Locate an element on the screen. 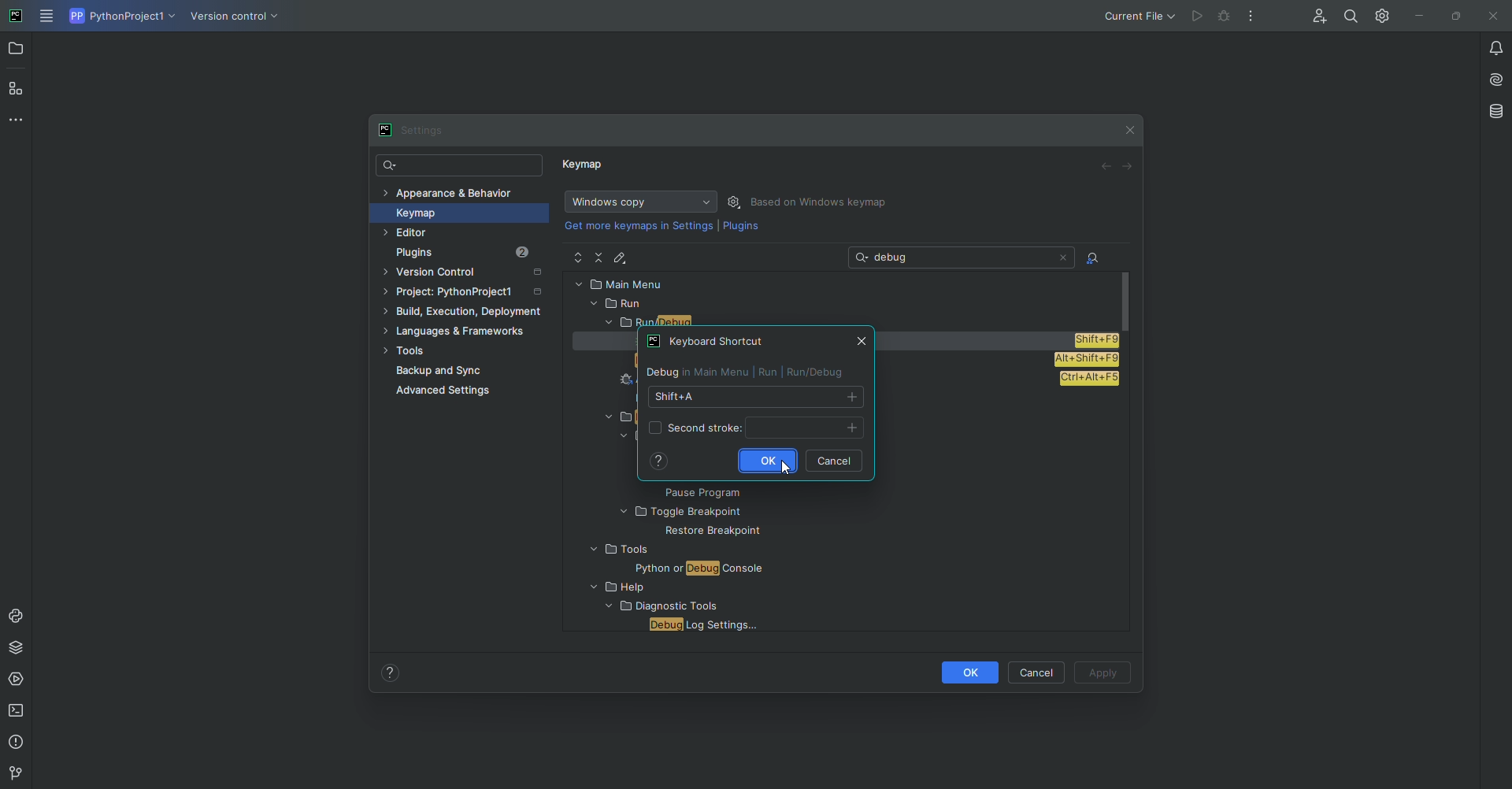 The width and height of the screenshot is (1512, 789). Python project is located at coordinates (120, 17).